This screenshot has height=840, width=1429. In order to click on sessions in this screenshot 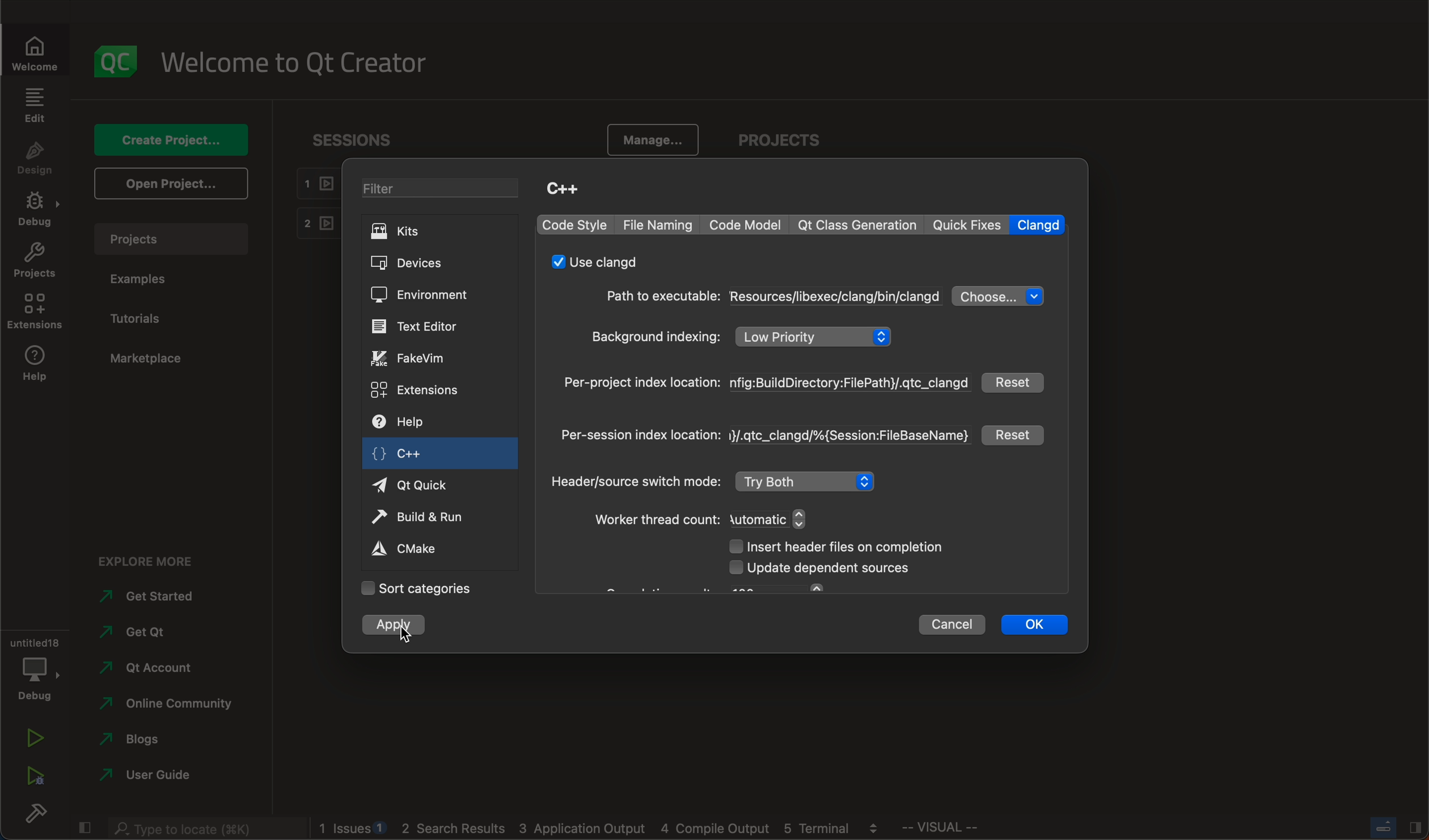, I will do `click(349, 139)`.